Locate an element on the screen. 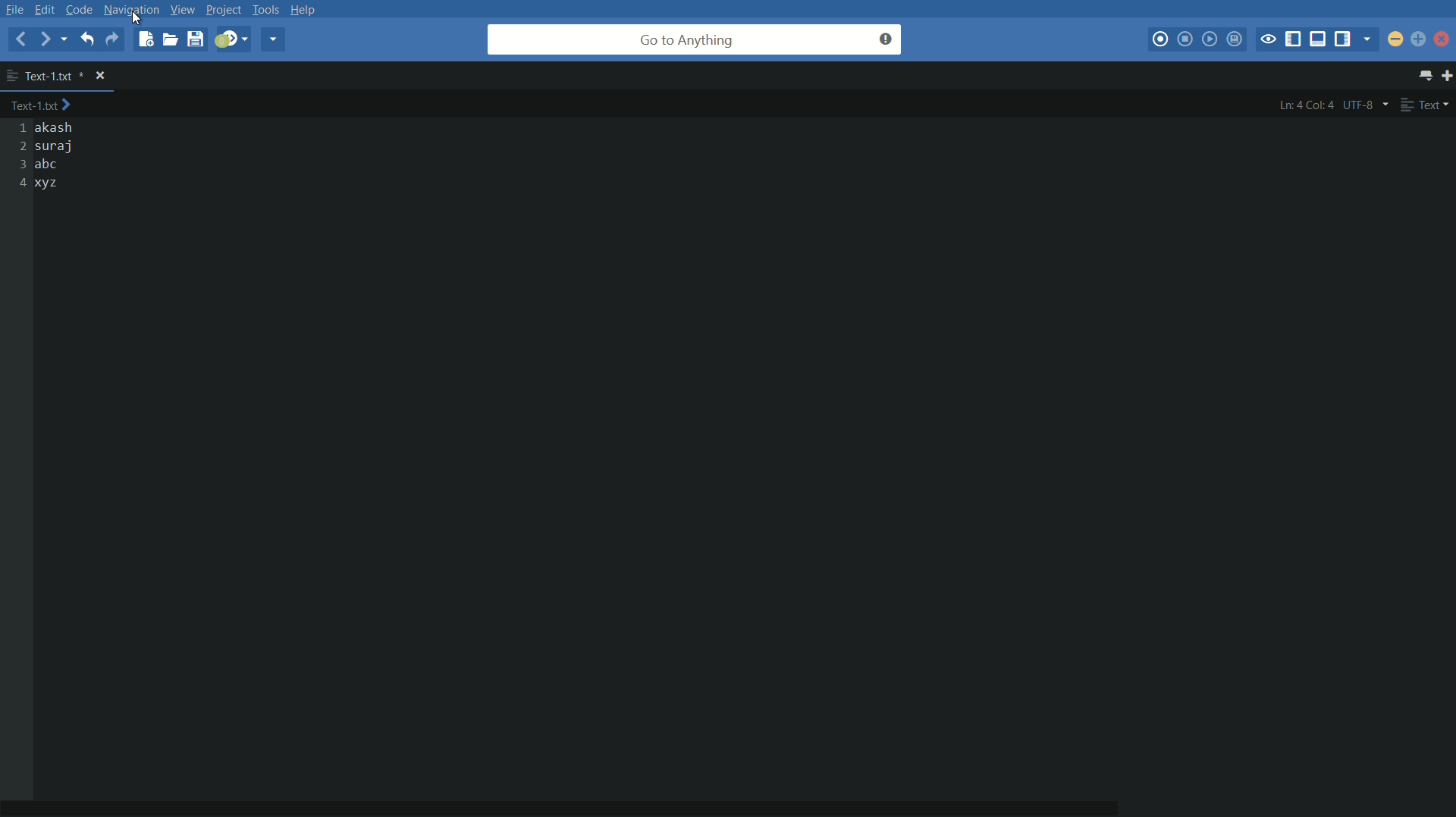 The image size is (1456, 817). cursor is located at coordinates (138, 19).